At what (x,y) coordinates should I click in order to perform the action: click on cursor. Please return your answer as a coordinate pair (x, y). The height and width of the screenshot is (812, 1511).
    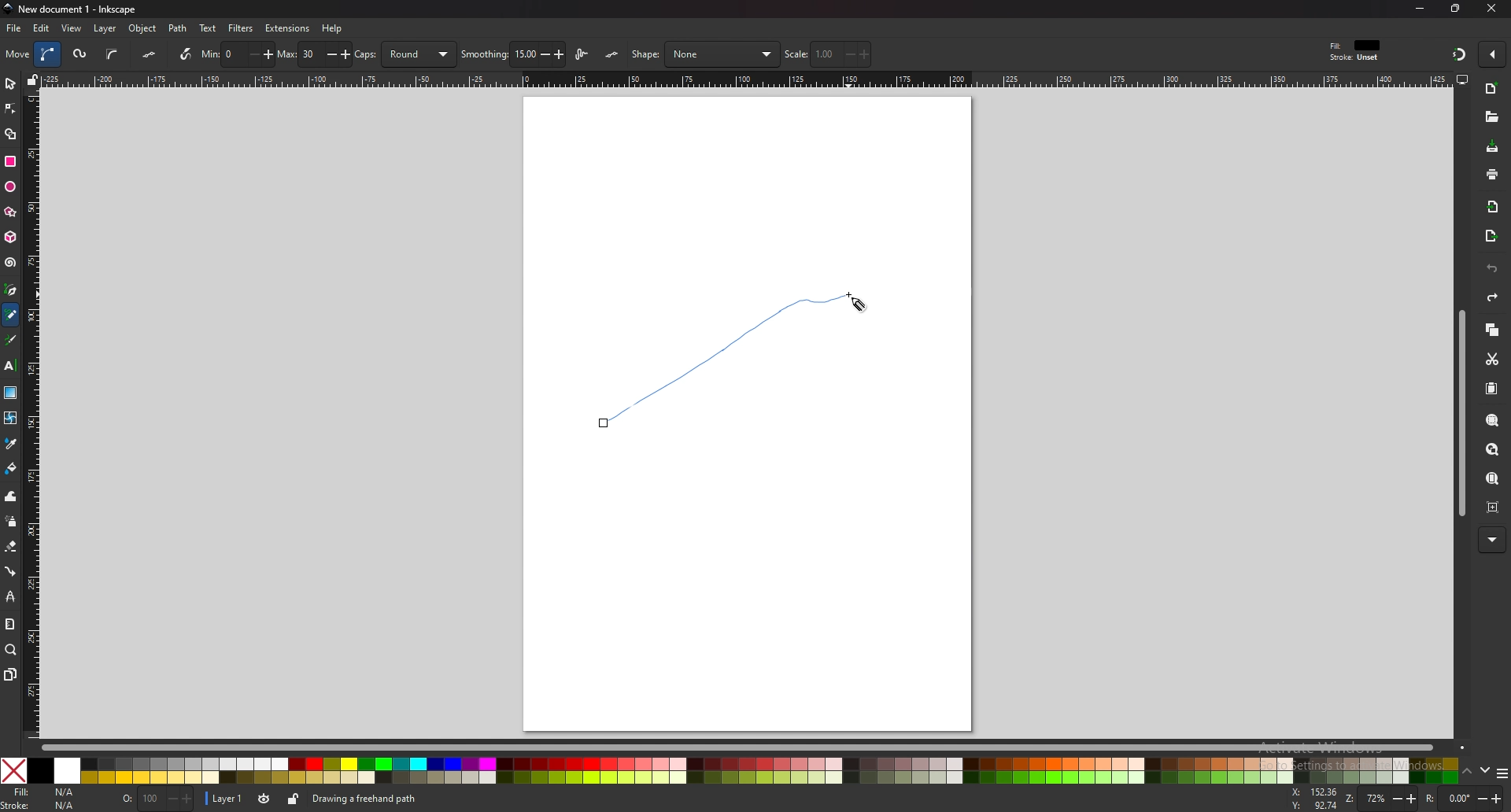
    Looking at the image, I should click on (857, 304).